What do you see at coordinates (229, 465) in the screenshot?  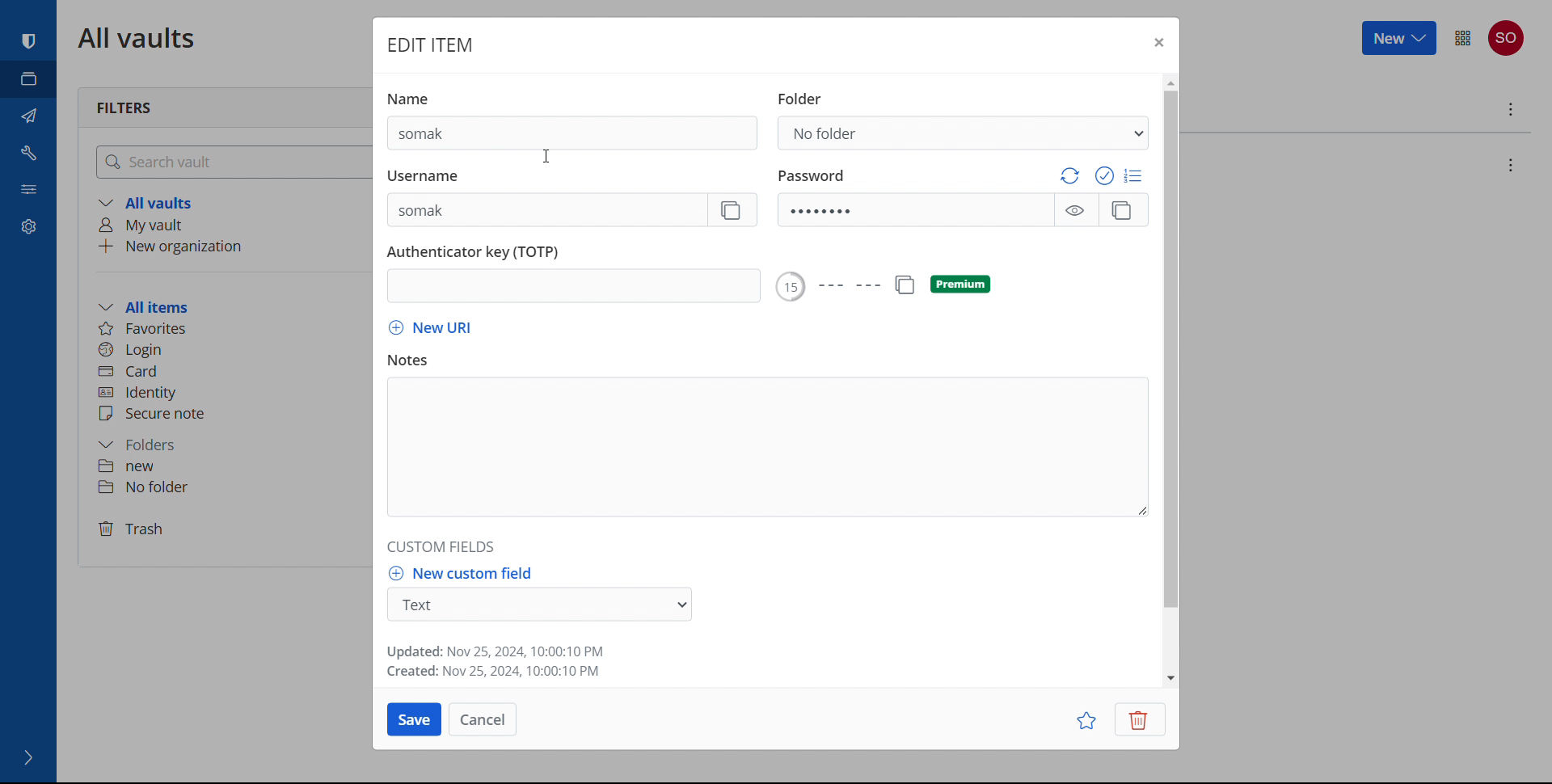 I see `folder 1` at bounding box center [229, 465].